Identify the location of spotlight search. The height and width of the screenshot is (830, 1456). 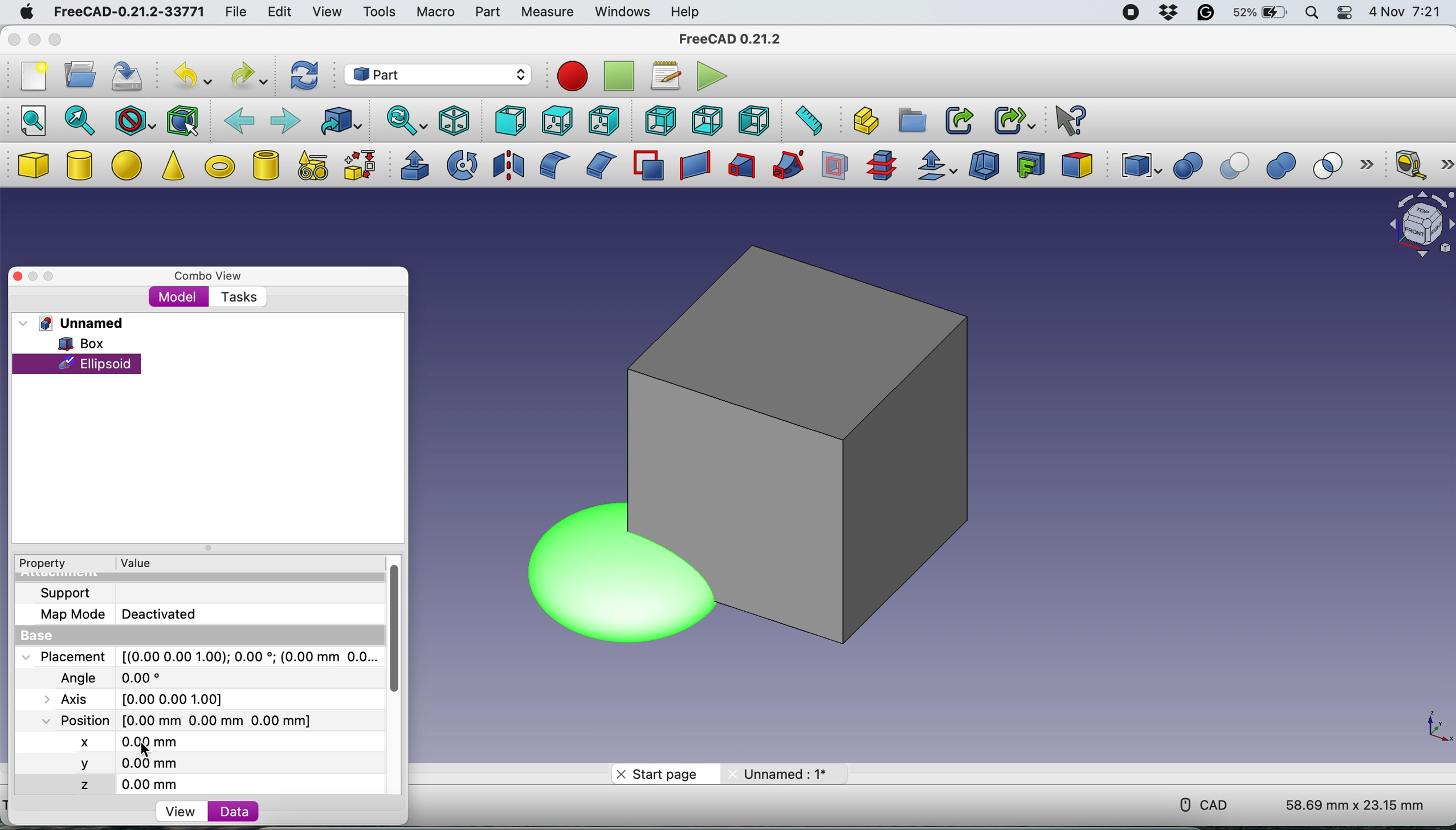
(1311, 14).